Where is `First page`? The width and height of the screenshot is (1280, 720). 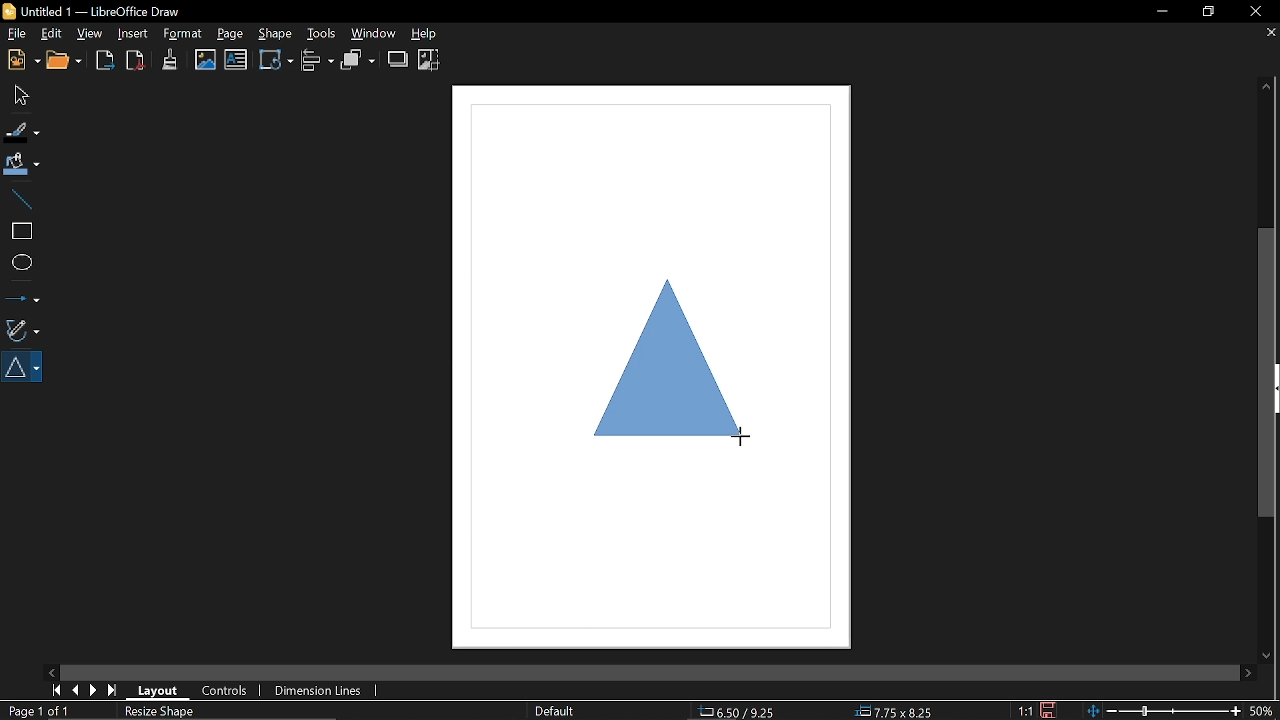
First page is located at coordinates (54, 690).